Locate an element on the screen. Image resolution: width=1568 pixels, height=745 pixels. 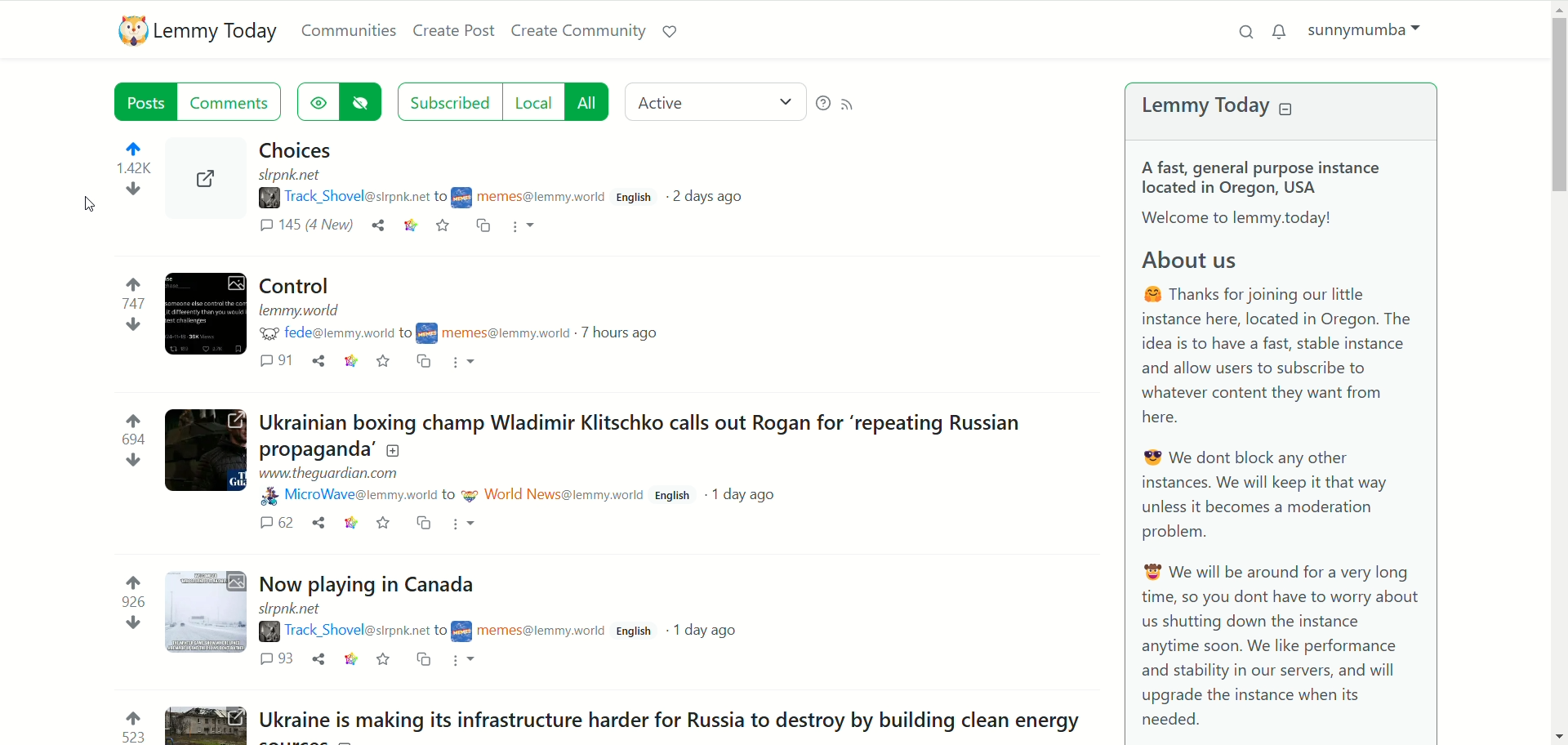
username is located at coordinates (359, 199).